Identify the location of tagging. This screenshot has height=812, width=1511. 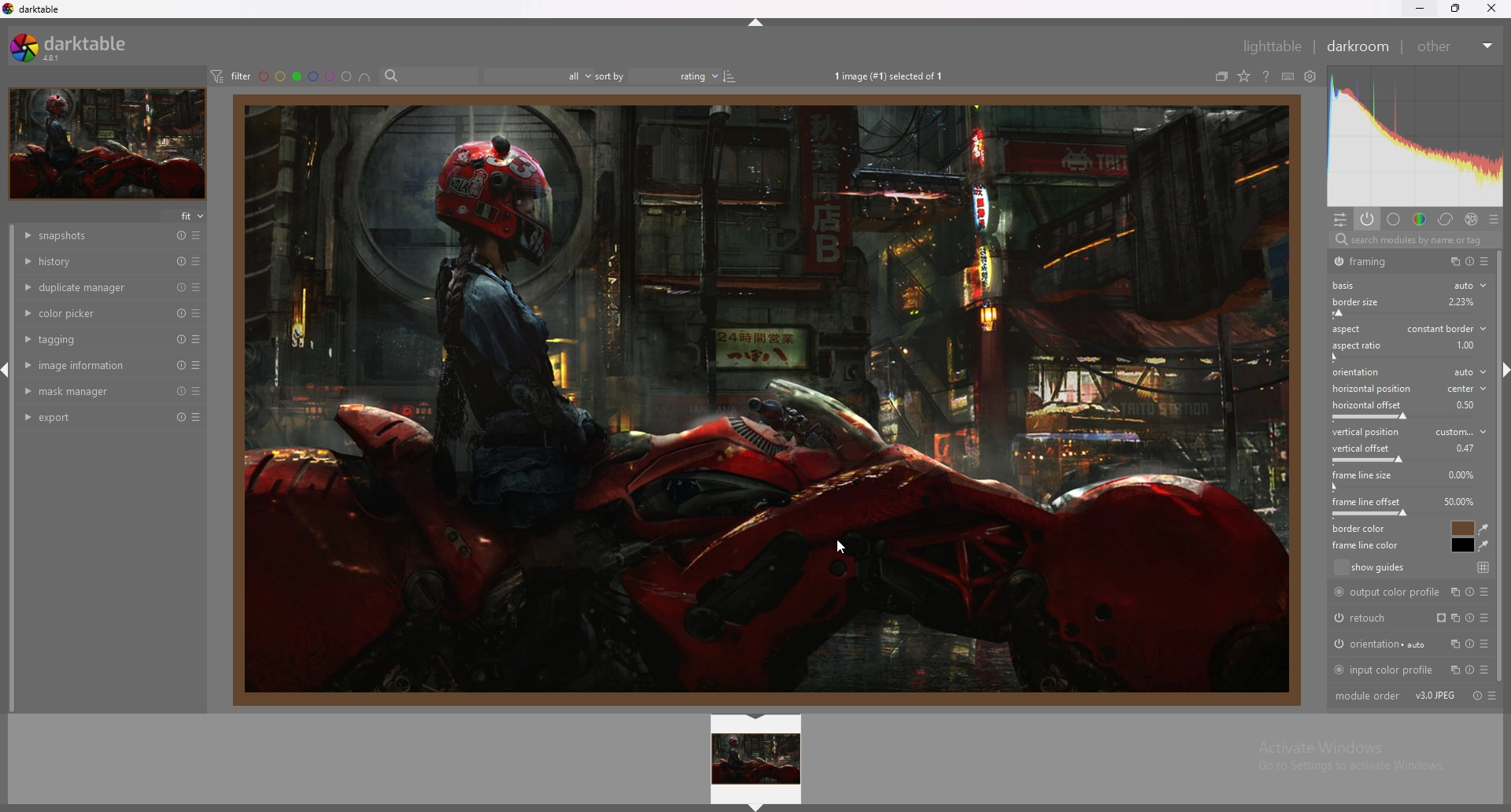
(93, 339).